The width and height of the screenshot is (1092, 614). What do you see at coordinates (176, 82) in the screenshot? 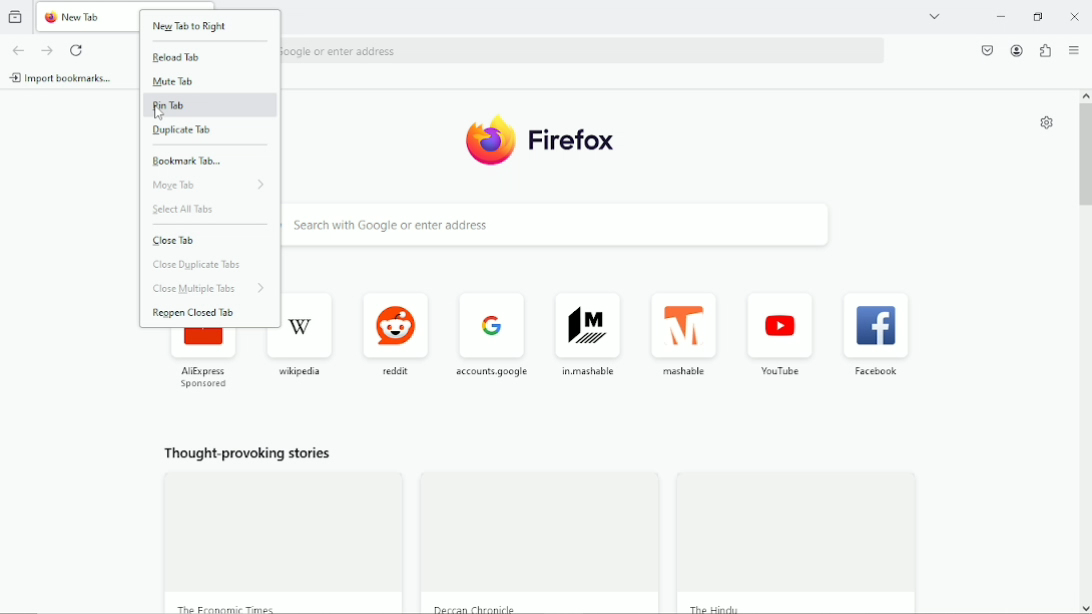
I see `Mute tab` at bounding box center [176, 82].